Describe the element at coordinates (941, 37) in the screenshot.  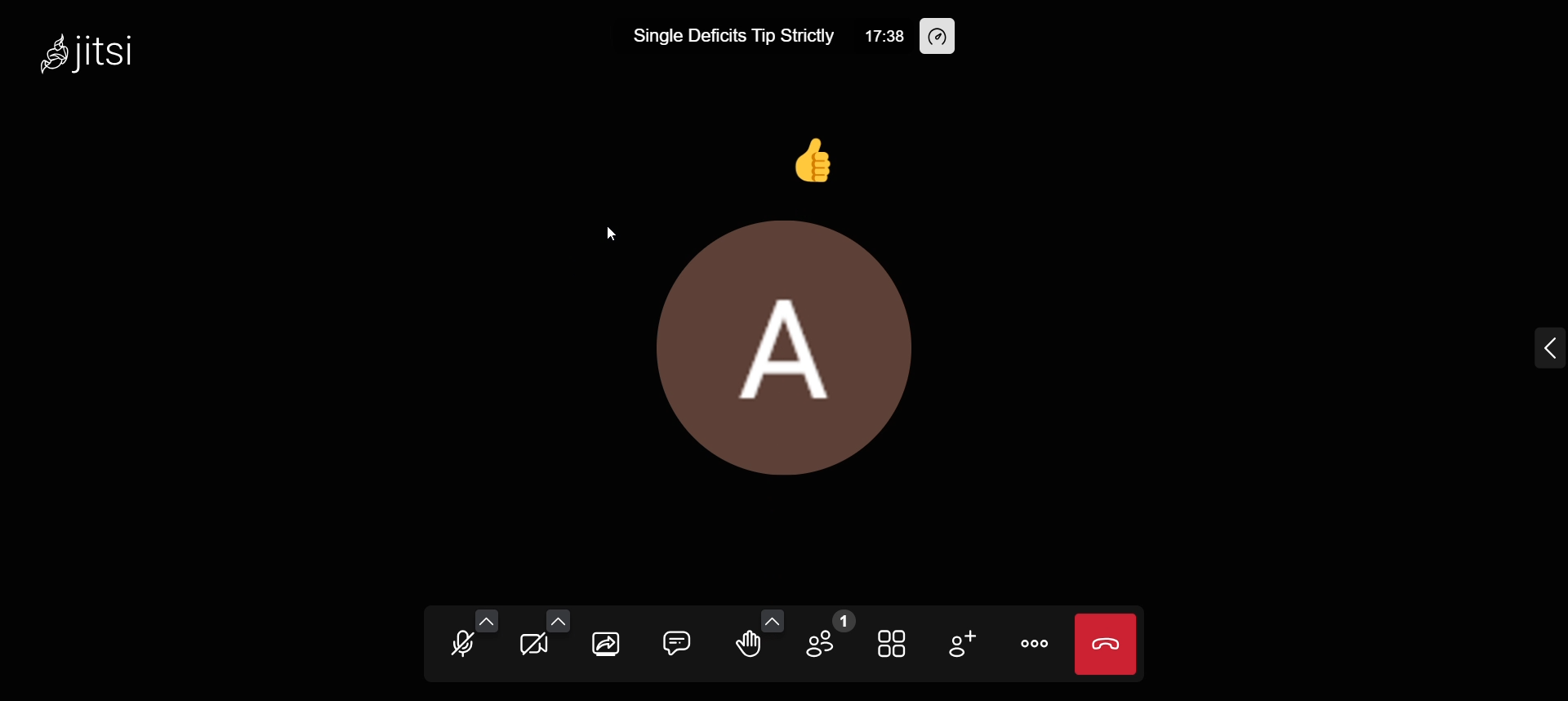
I see `Performance setting` at that location.